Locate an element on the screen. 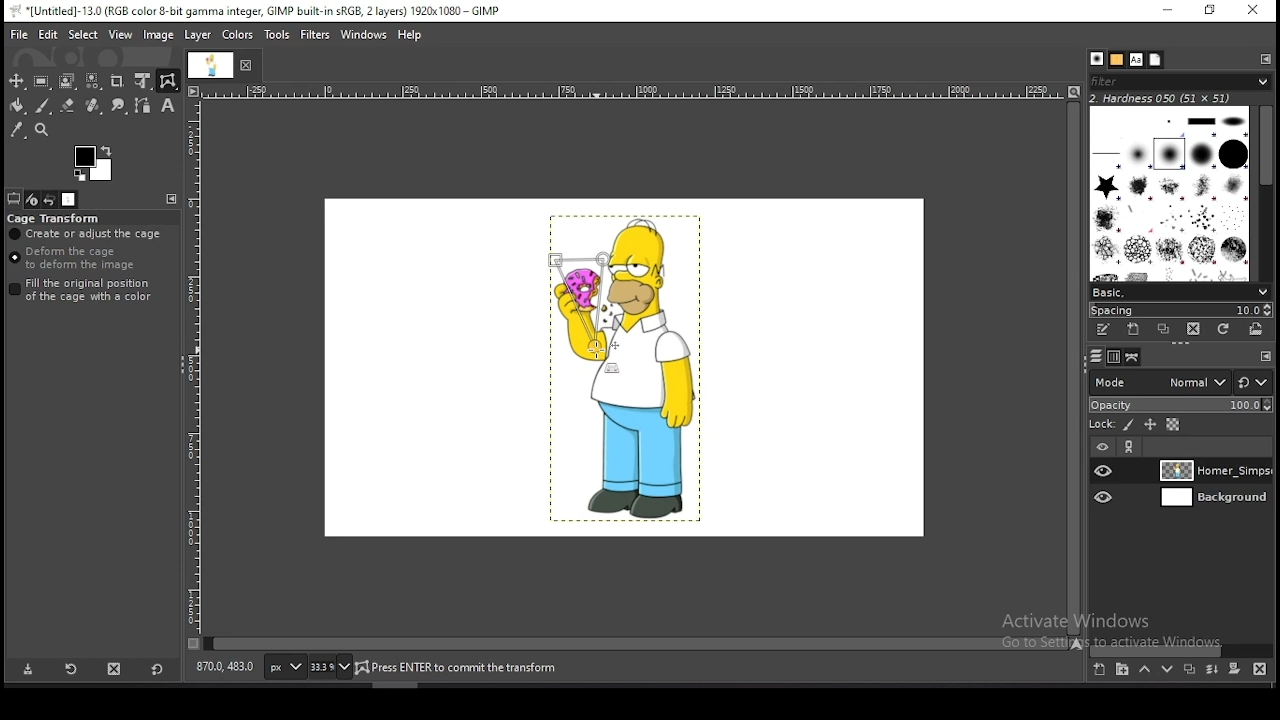 The width and height of the screenshot is (1280, 720). undo history is located at coordinates (50, 199).